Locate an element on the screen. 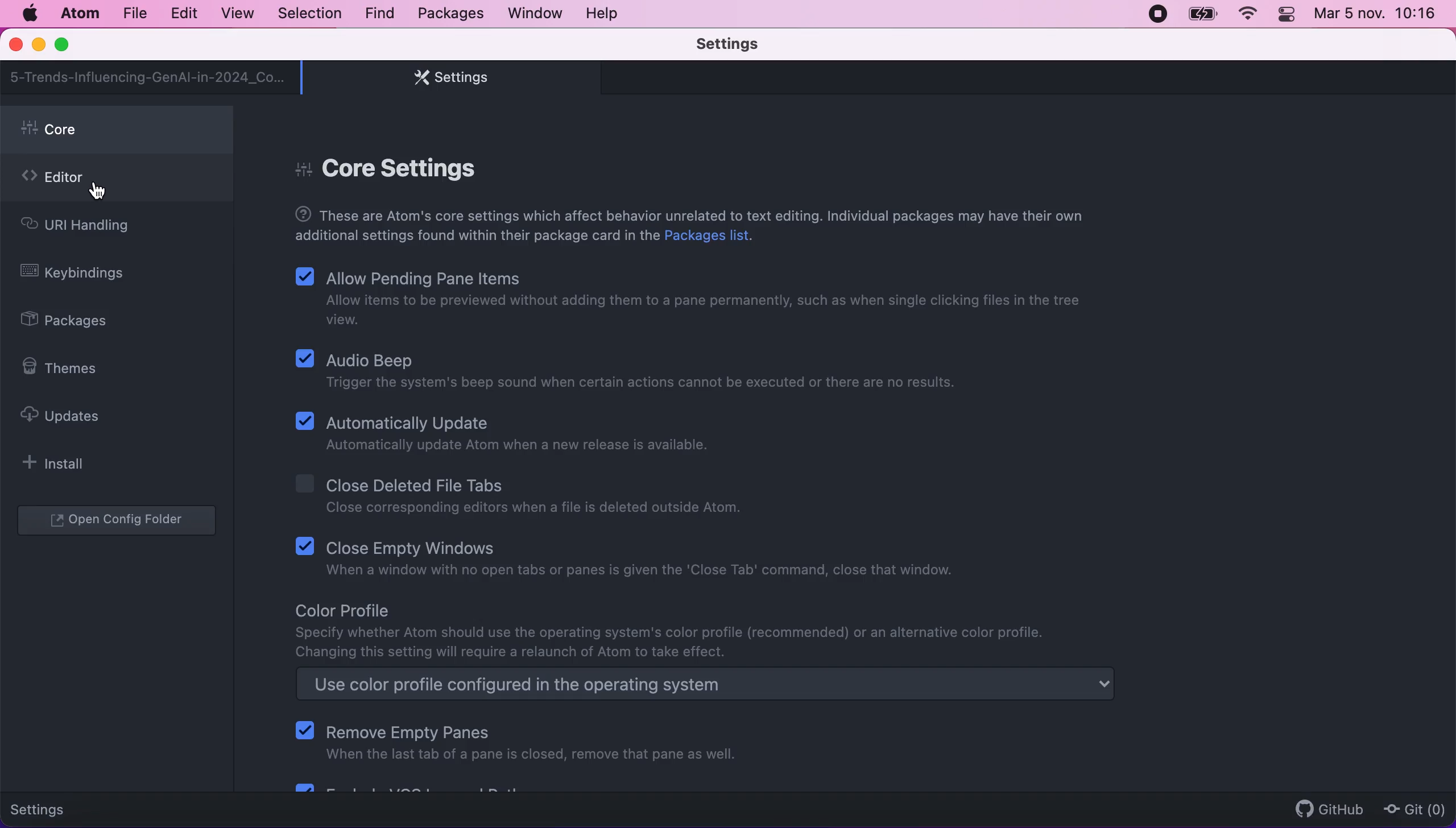 The height and width of the screenshot is (828, 1456). help is located at coordinates (605, 13).